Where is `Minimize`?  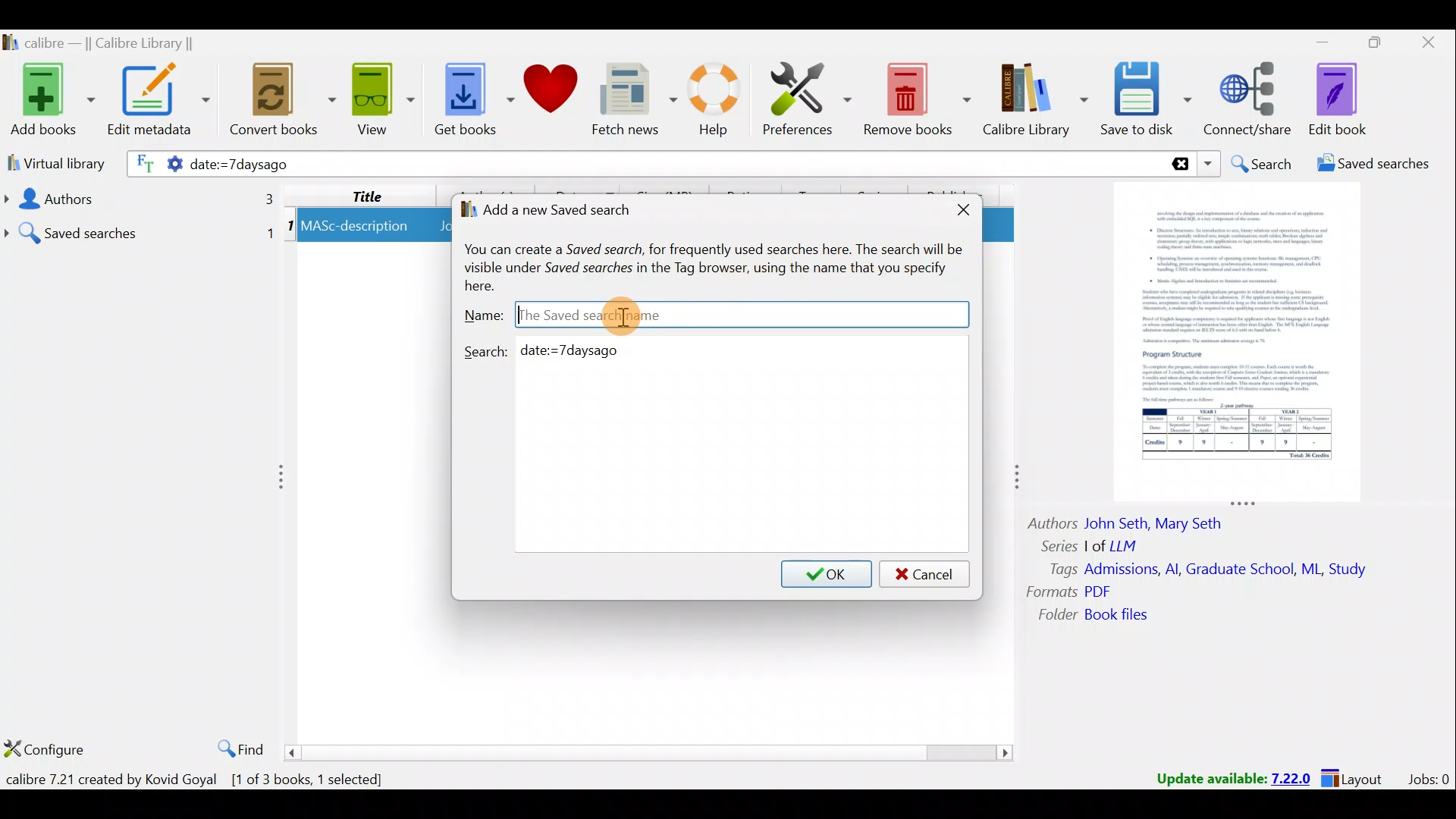
Minimize is located at coordinates (1314, 42).